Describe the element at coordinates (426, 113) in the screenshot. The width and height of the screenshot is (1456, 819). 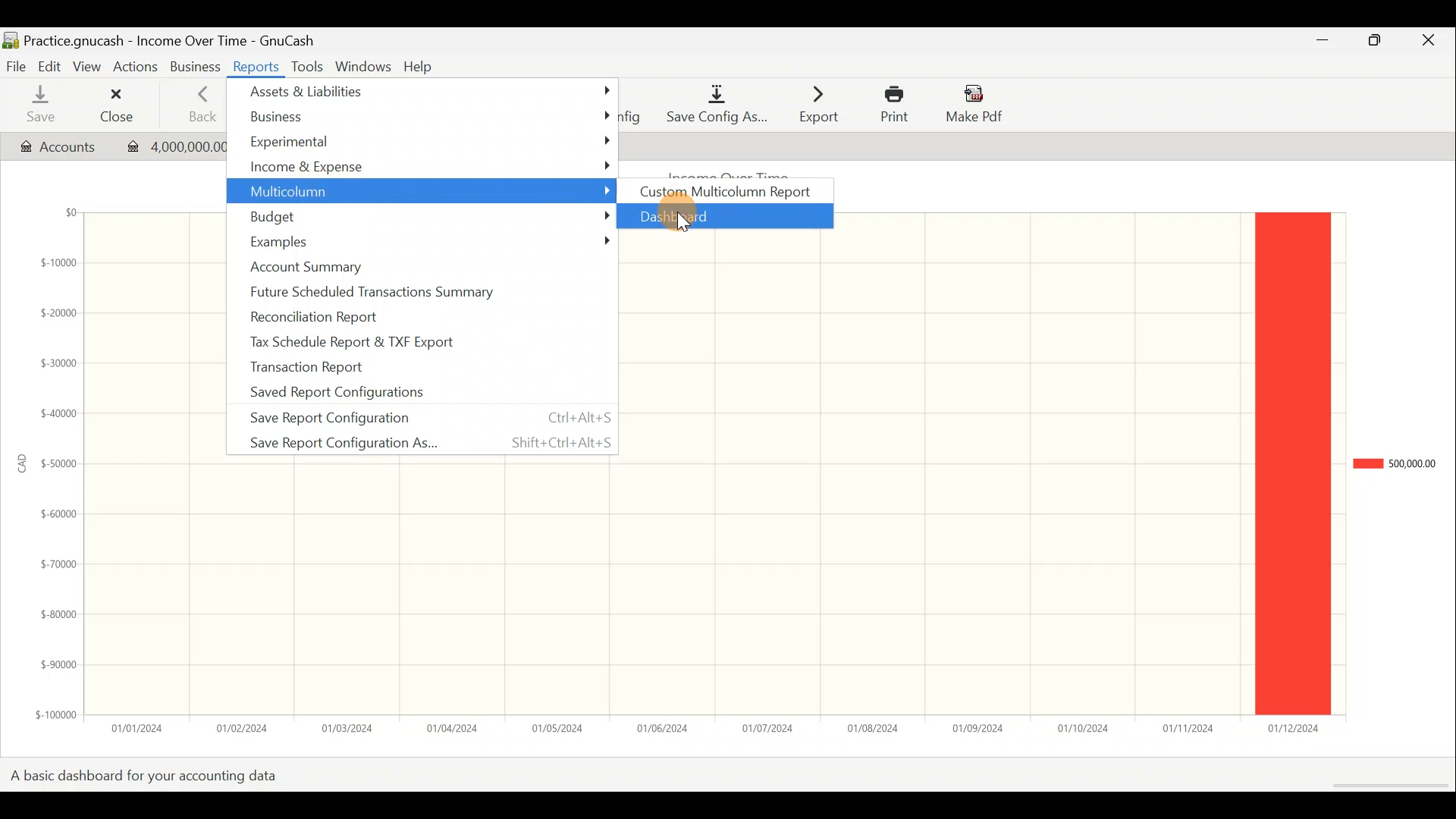
I see `Business` at that location.